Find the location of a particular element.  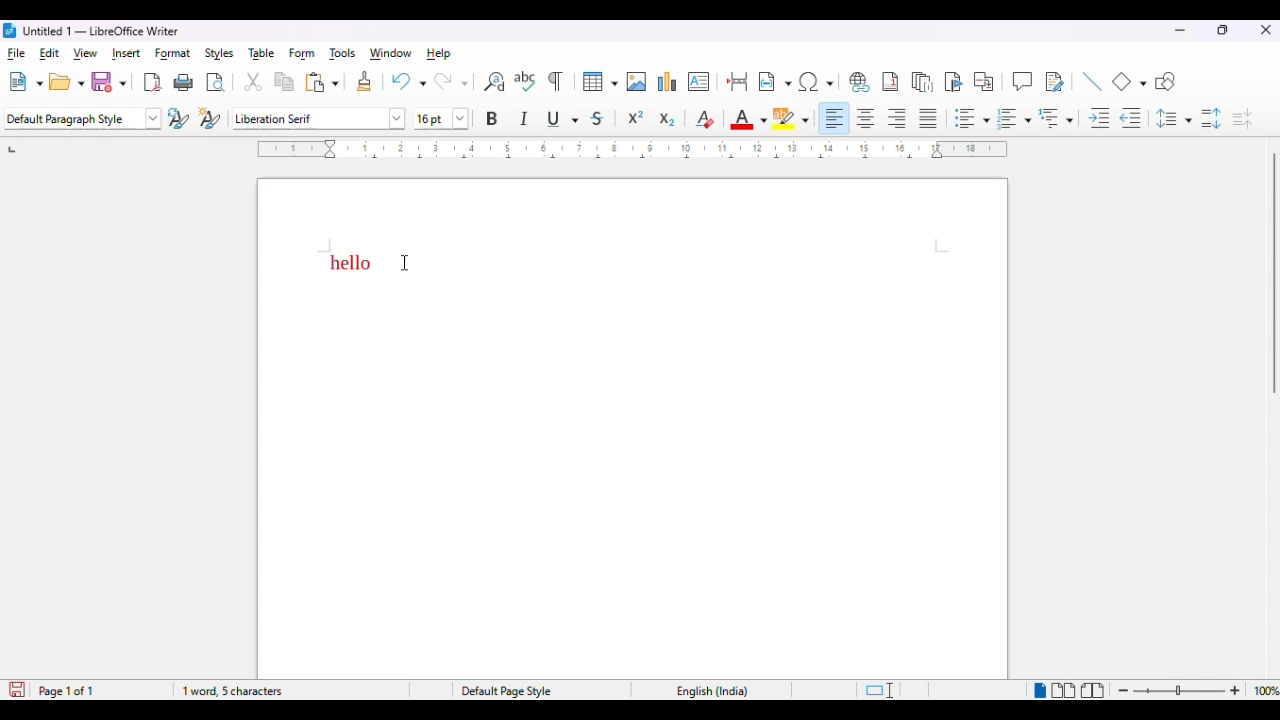

insert line is located at coordinates (1091, 81).